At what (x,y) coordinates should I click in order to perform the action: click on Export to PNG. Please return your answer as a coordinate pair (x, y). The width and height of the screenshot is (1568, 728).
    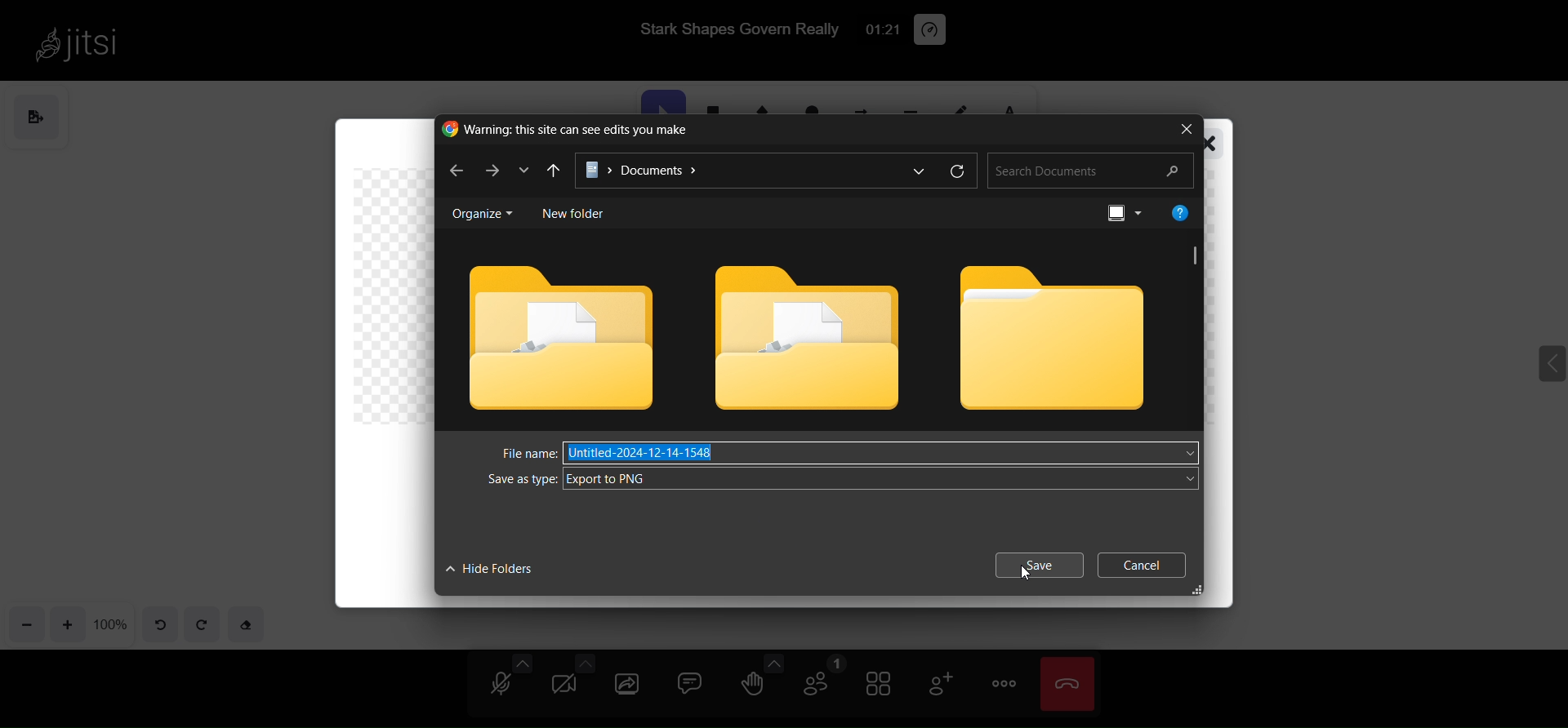
    Looking at the image, I should click on (608, 485).